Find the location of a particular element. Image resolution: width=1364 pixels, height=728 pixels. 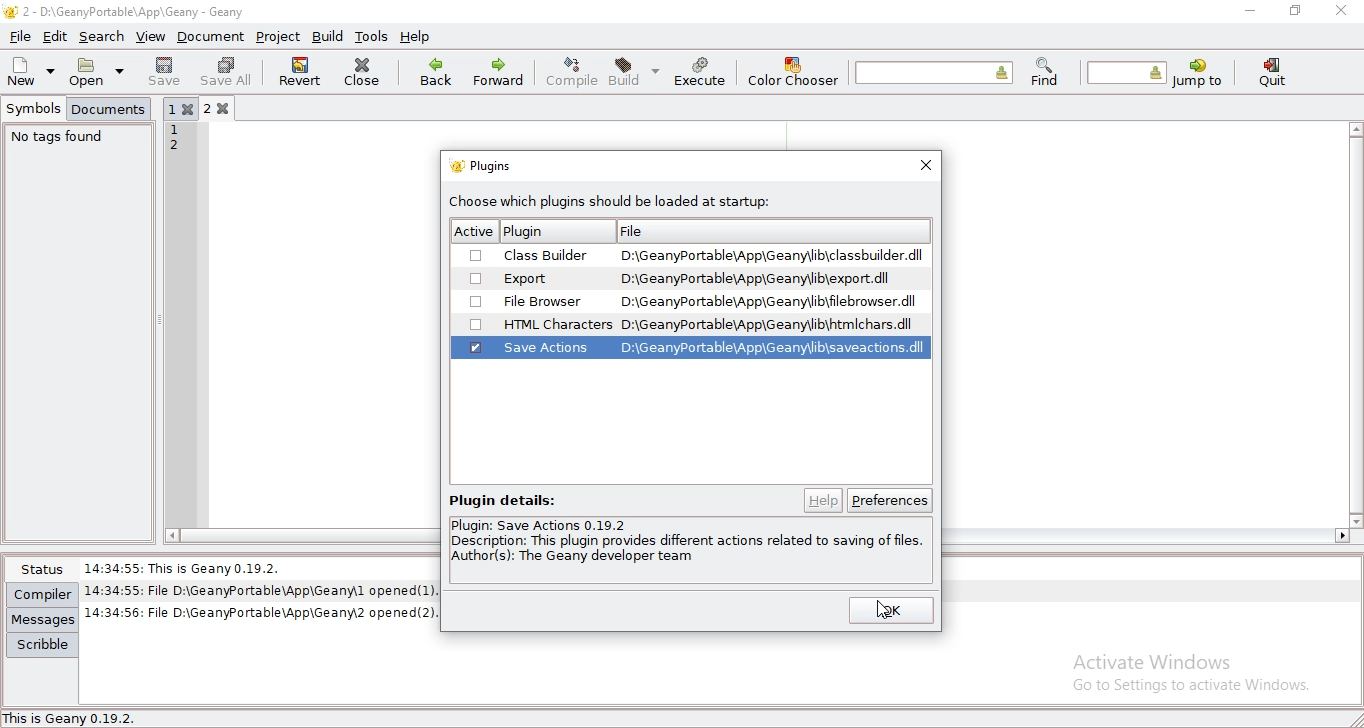

new is located at coordinates (24, 70).